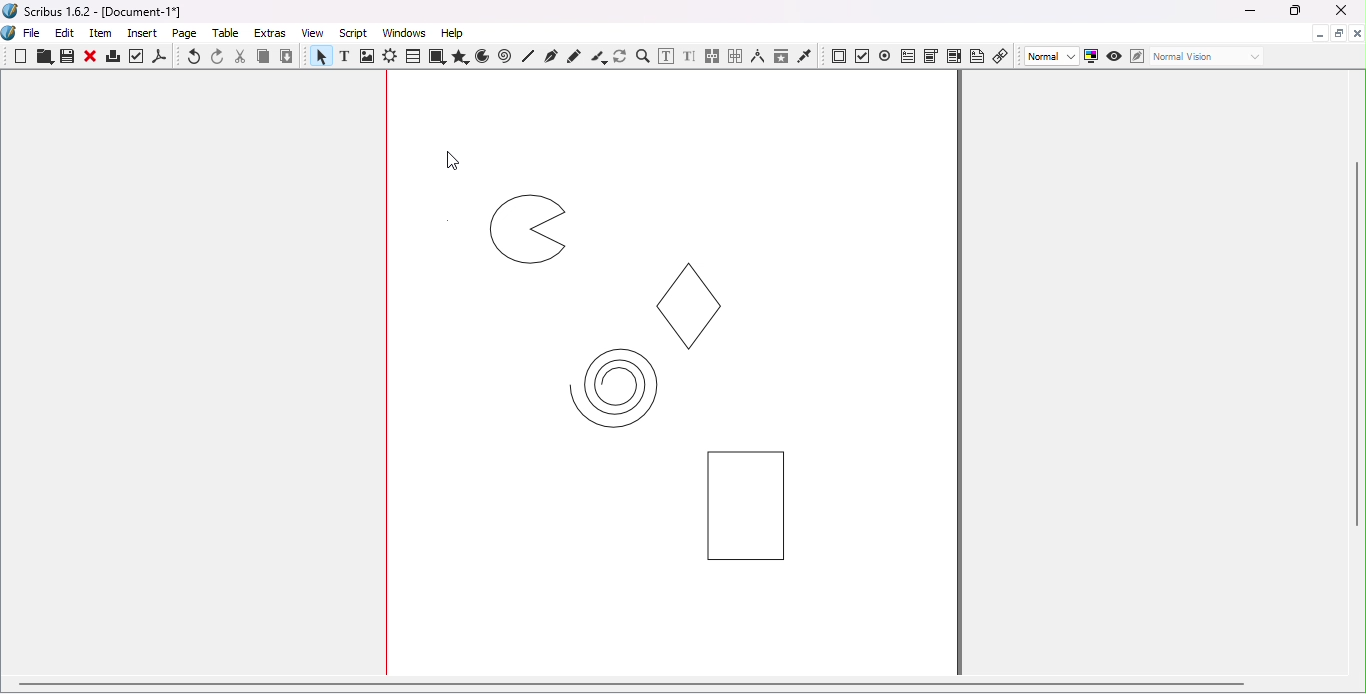 This screenshot has width=1366, height=694. What do you see at coordinates (440, 160) in the screenshot?
I see `Cursor` at bounding box center [440, 160].